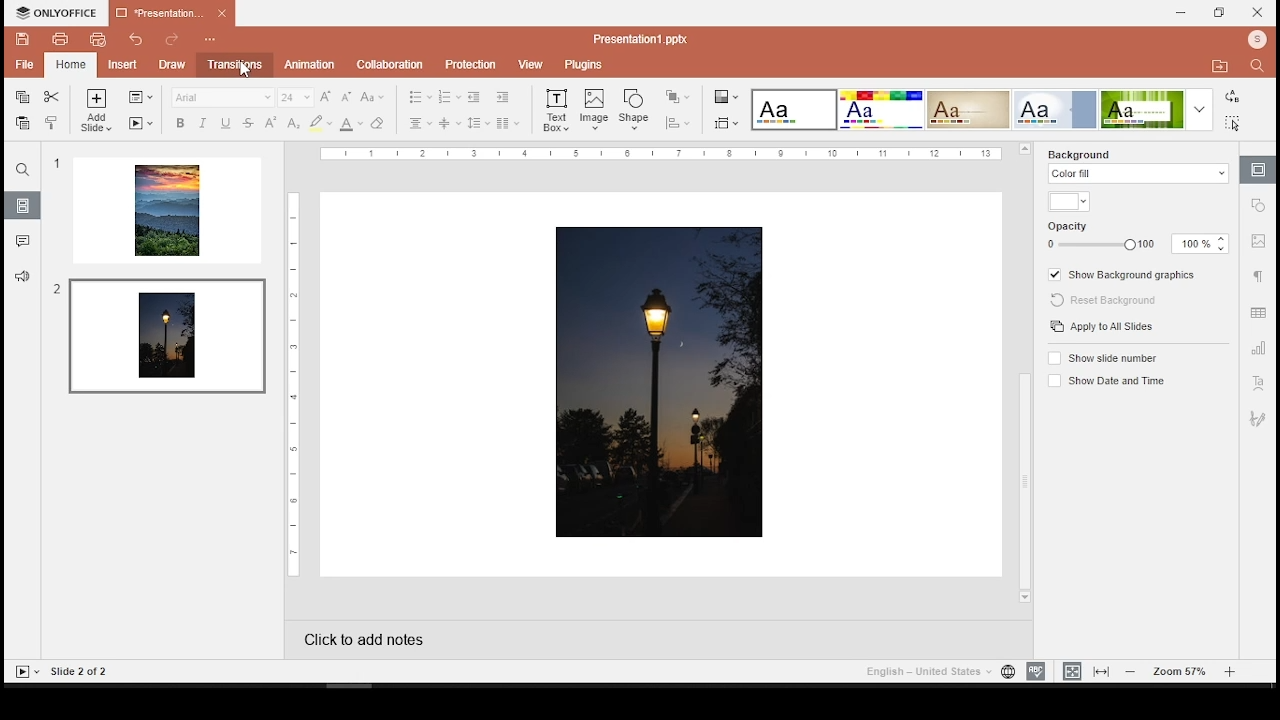  What do you see at coordinates (725, 96) in the screenshot?
I see `change color theme` at bounding box center [725, 96].